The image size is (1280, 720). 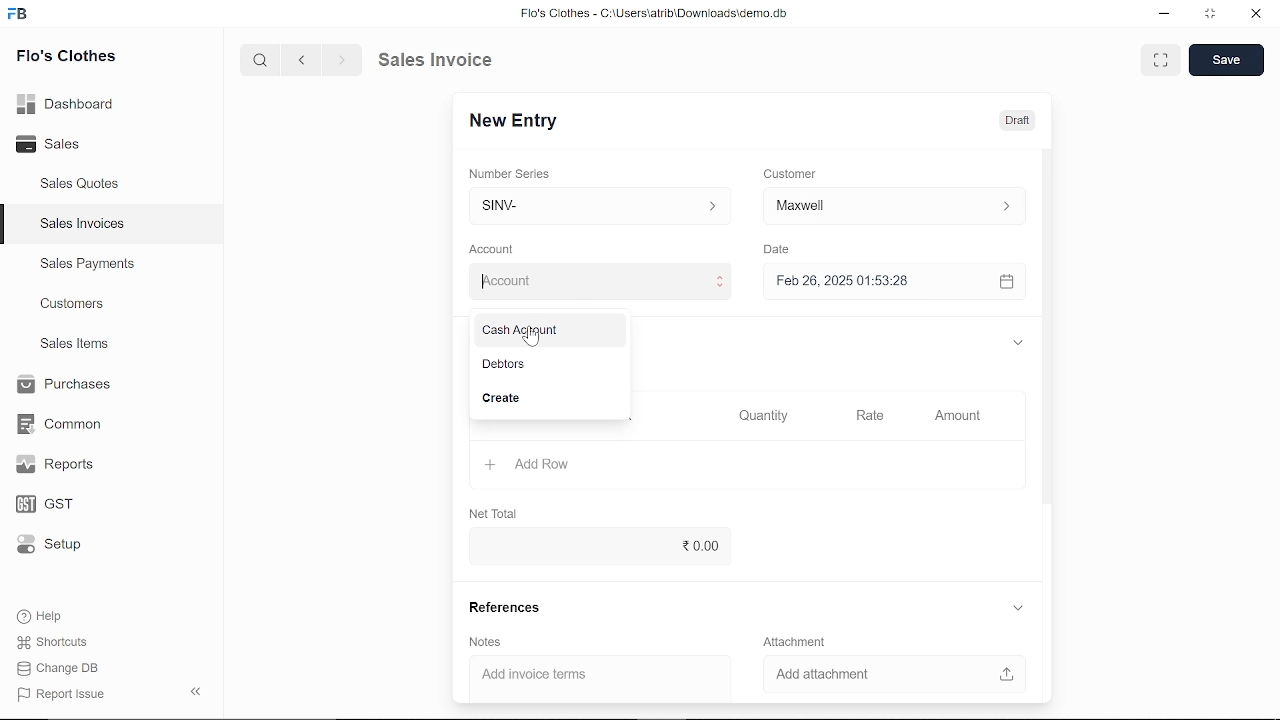 I want to click on Customers., so click(x=73, y=304).